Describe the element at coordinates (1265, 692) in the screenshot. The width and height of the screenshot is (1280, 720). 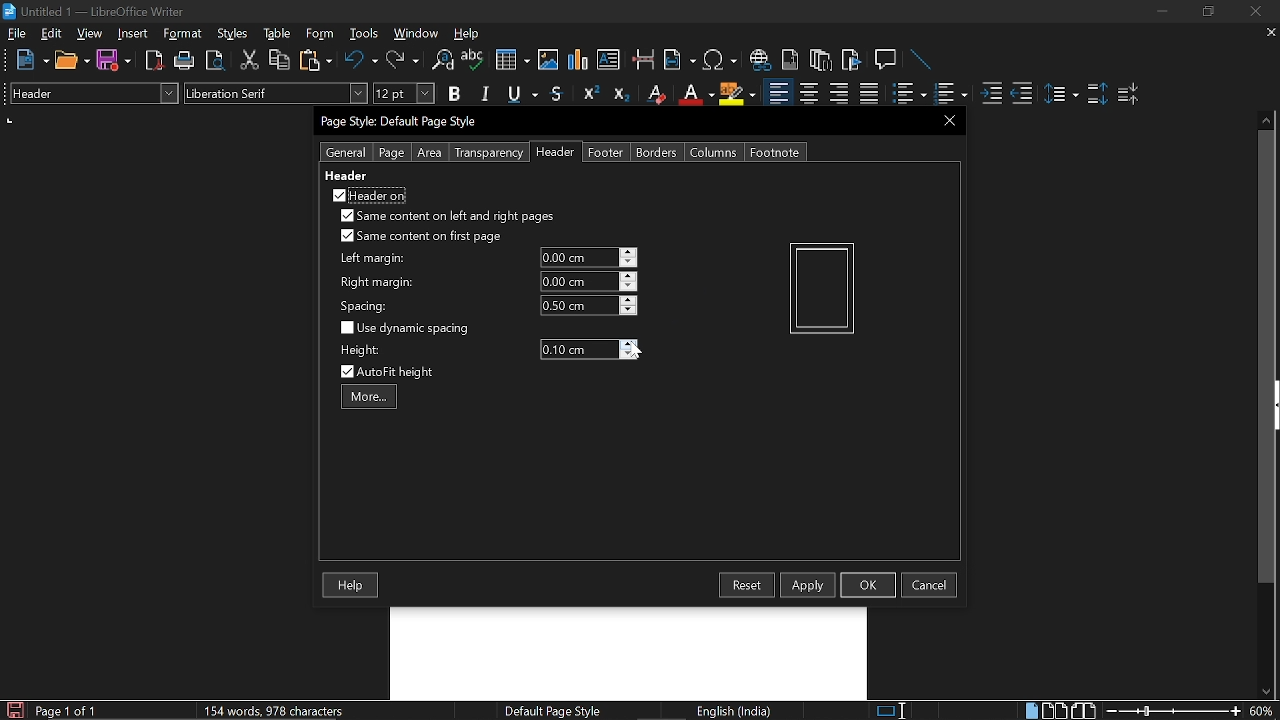
I see `Move down` at that location.